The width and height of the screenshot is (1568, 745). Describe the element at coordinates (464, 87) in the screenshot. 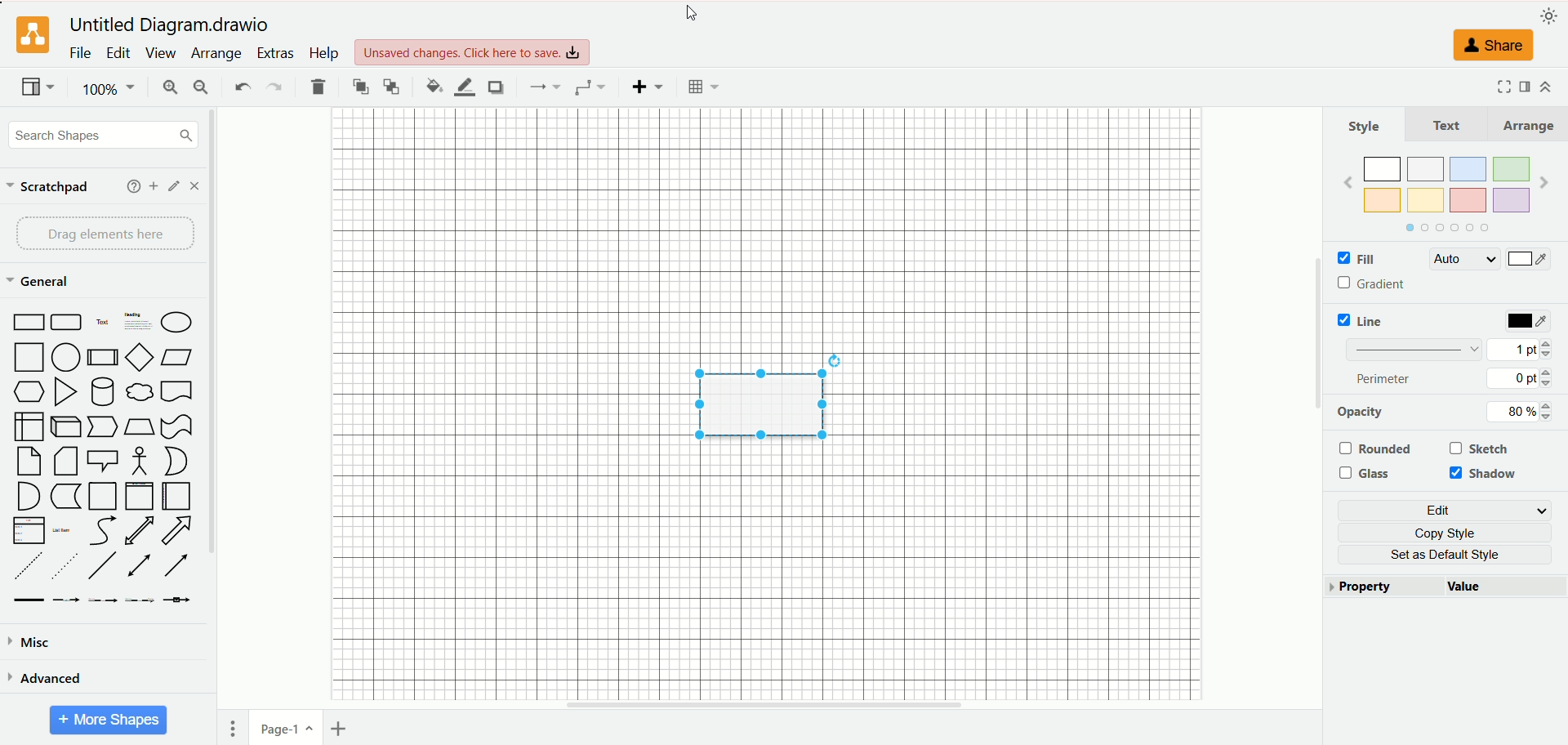

I see `line color` at that location.